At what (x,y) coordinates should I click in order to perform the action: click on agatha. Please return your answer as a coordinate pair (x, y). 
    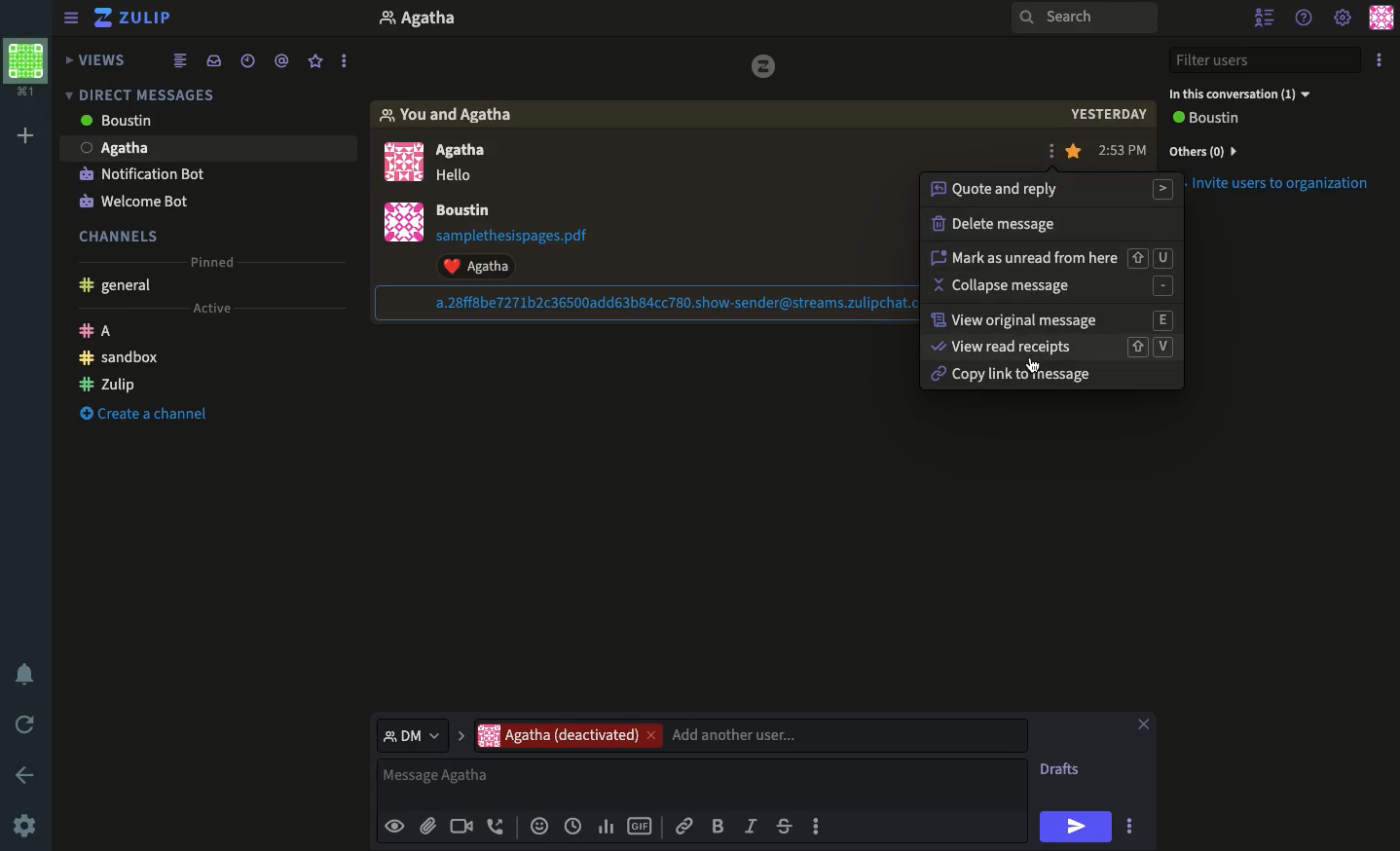
    Looking at the image, I should click on (206, 151).